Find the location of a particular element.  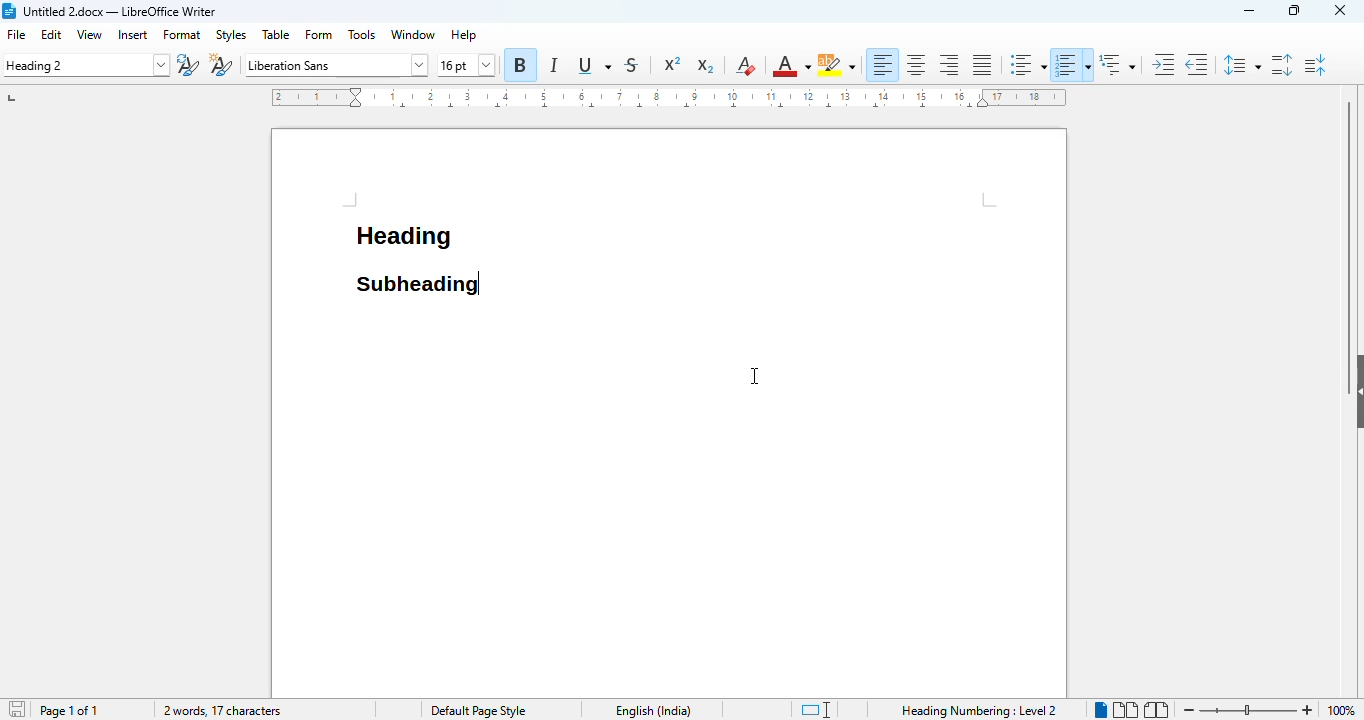

edit is located at coordinates (51, 34).